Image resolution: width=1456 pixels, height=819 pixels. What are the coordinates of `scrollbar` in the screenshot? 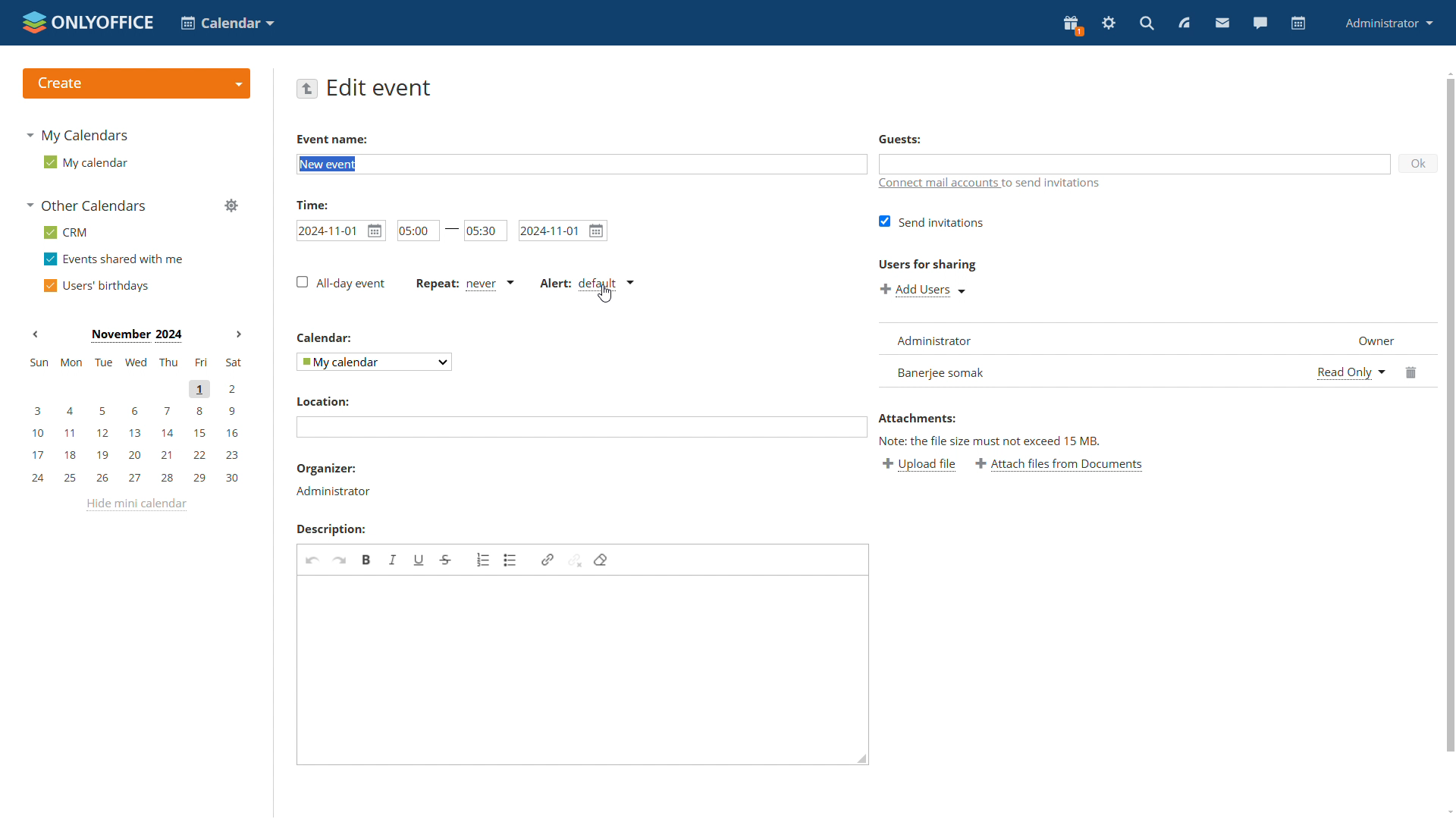 It's located at (1451, 414).